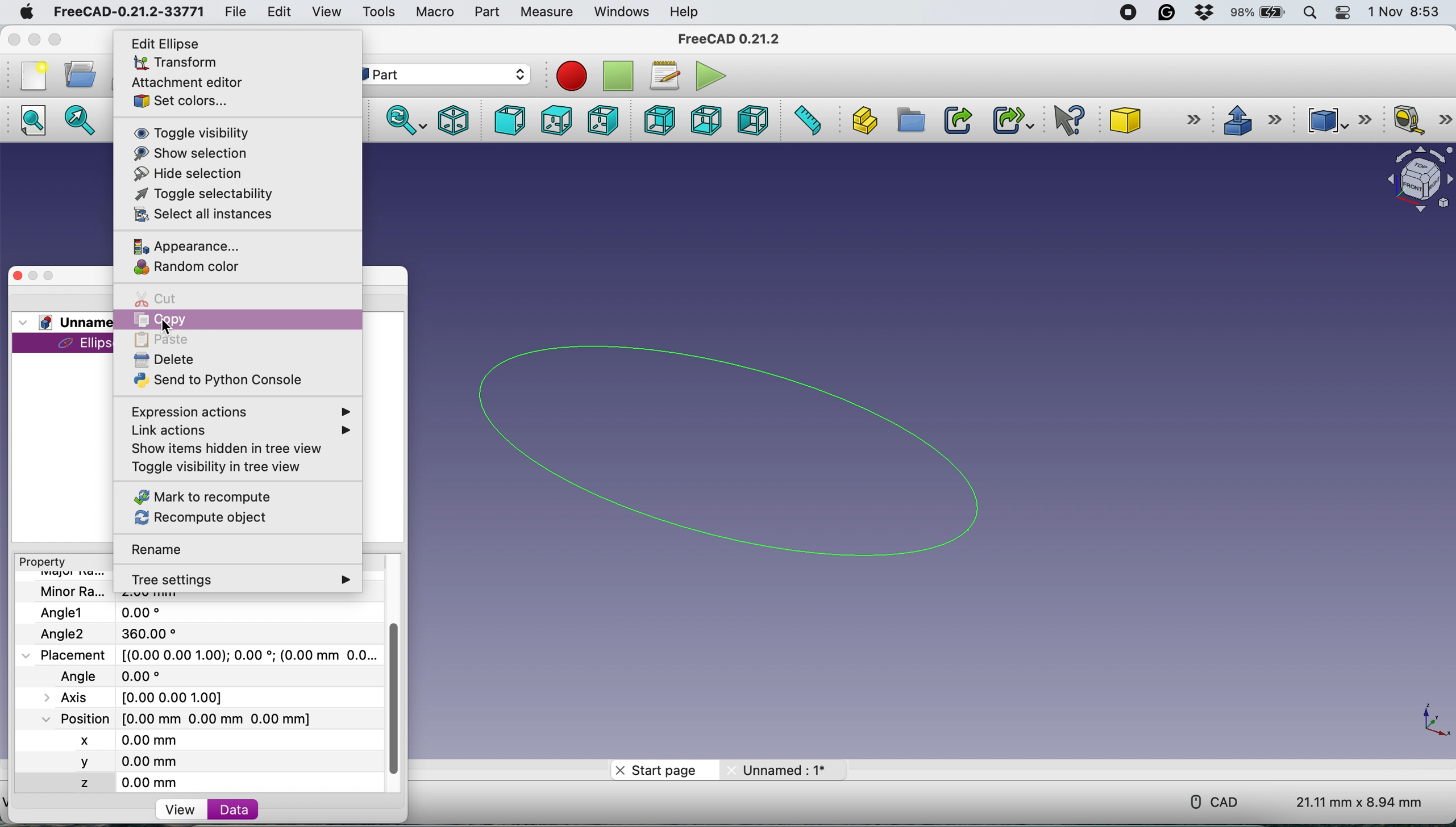  Describe the element at coordinates (660, 770) in the screenshot. I see `start page` at that location.